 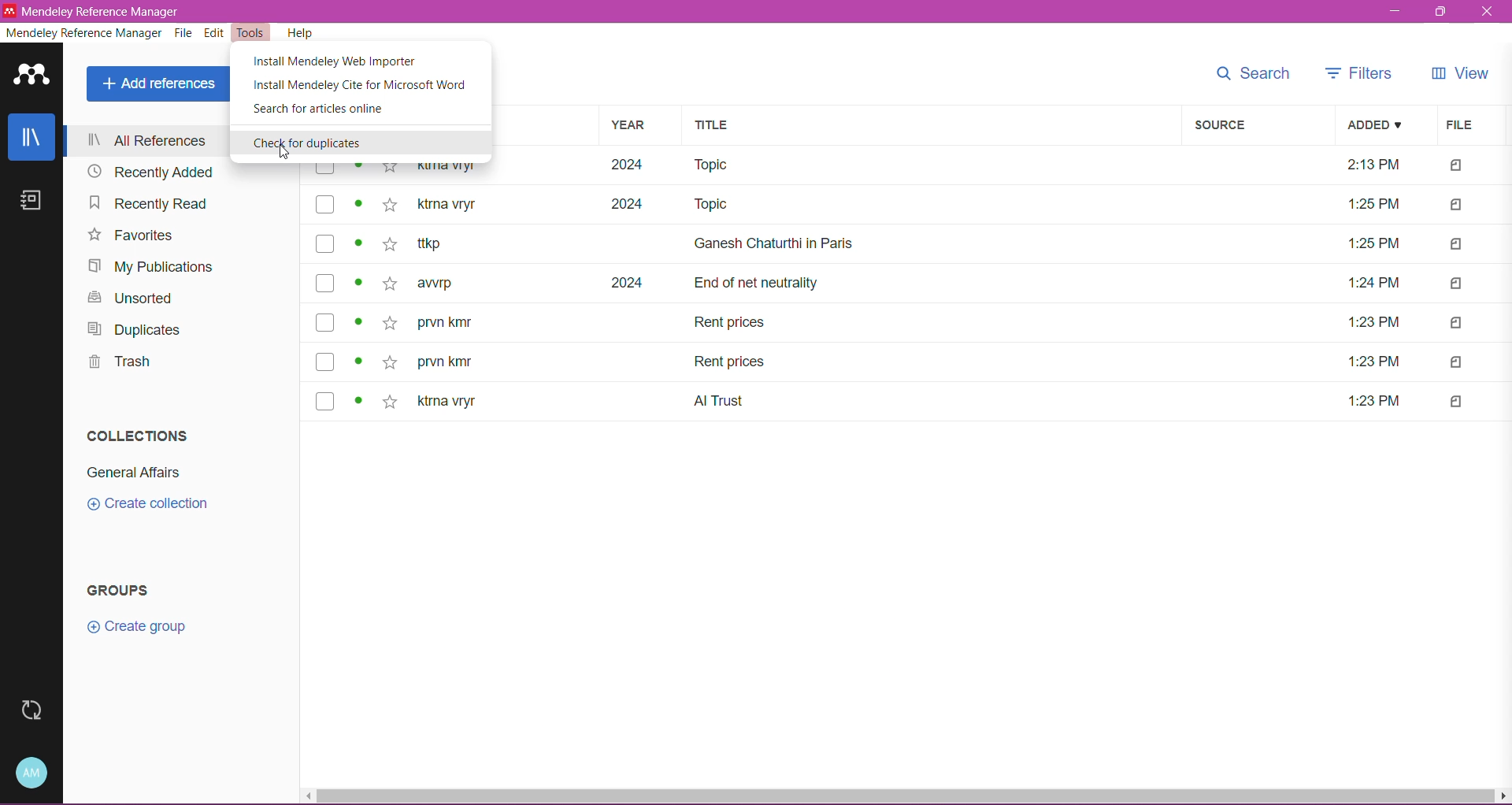 I want to click on File, so click(x=1465, y=124).